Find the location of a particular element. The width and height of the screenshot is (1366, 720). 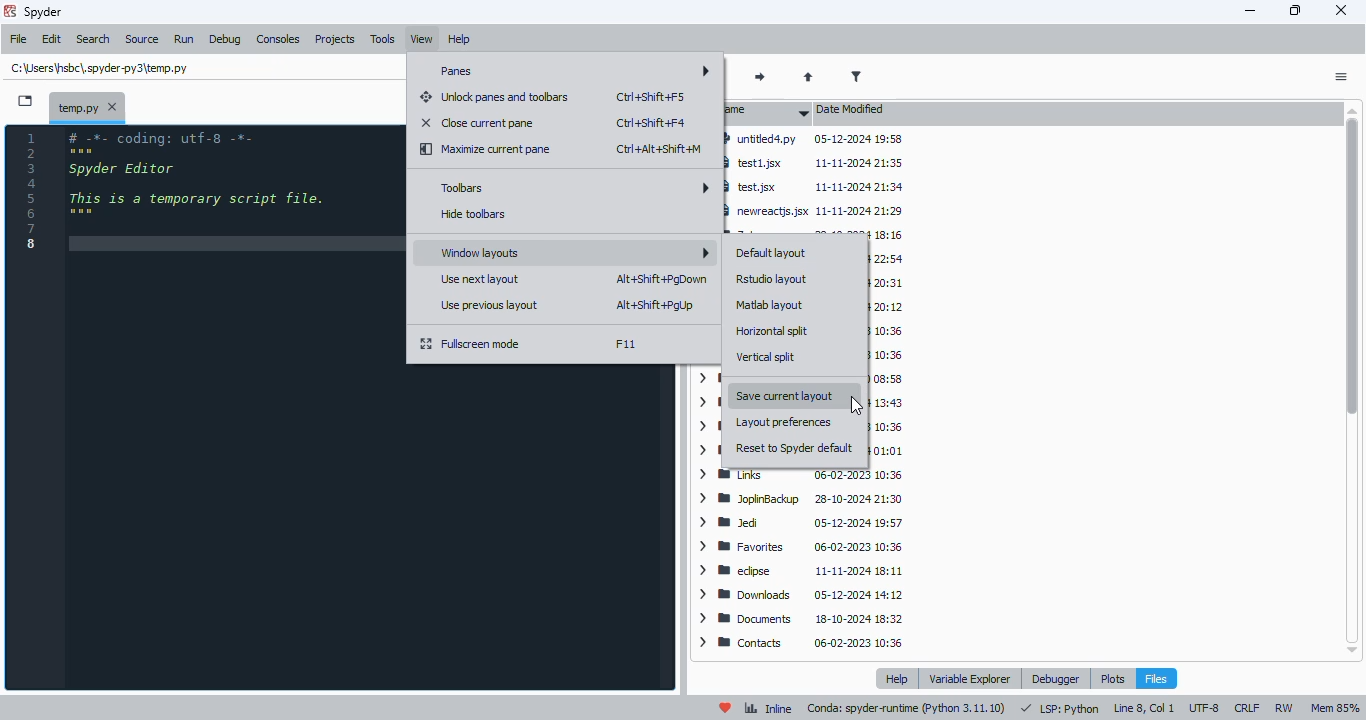

window layouts is located at coordinates (573, 253).